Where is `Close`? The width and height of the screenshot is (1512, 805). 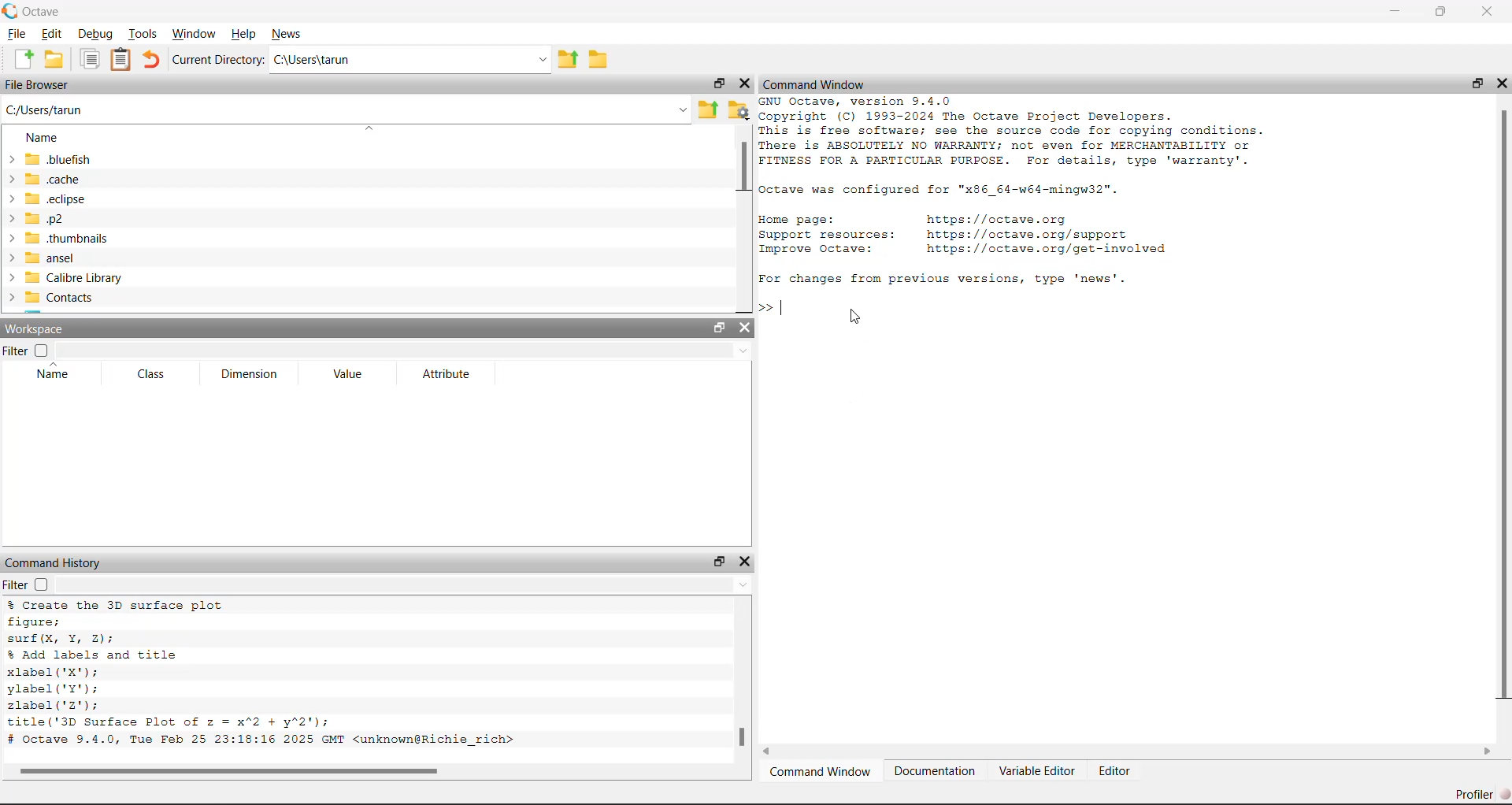
Close is located at coordinates (1487, 9).